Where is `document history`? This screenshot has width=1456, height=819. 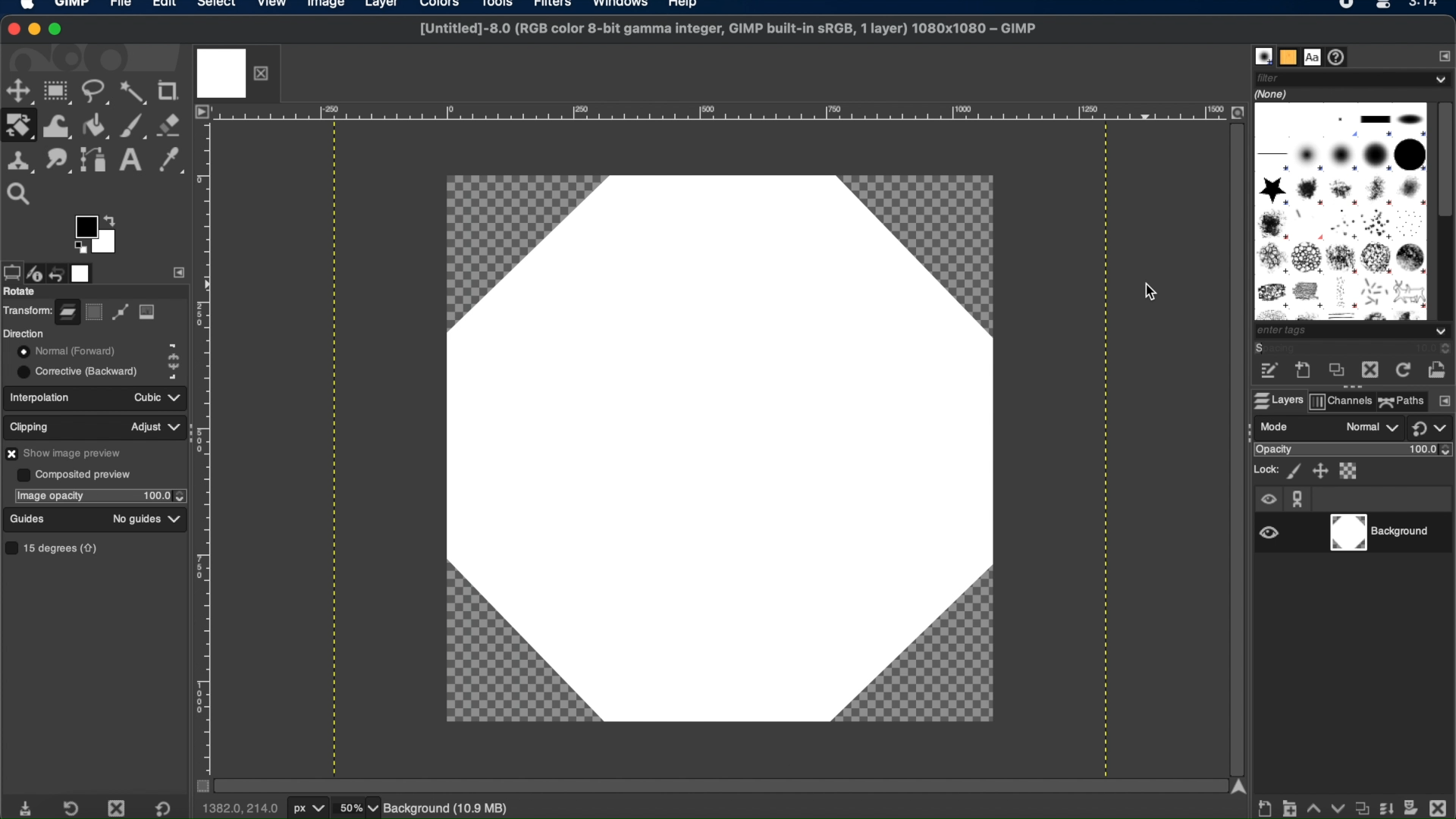 document history is located at coordinates (1340, 57).